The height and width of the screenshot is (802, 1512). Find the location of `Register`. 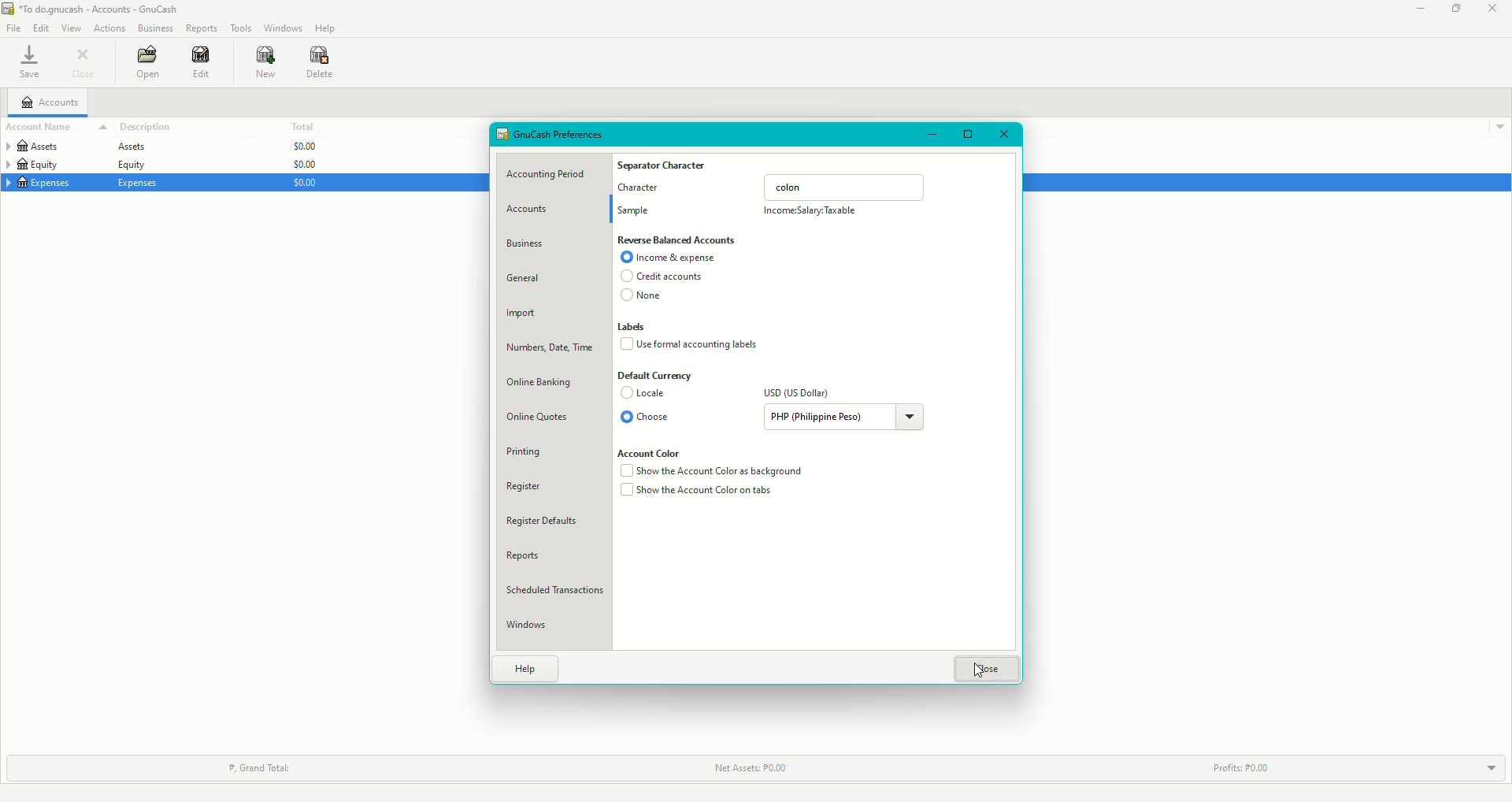

Register is located at coordinates (525, 487).